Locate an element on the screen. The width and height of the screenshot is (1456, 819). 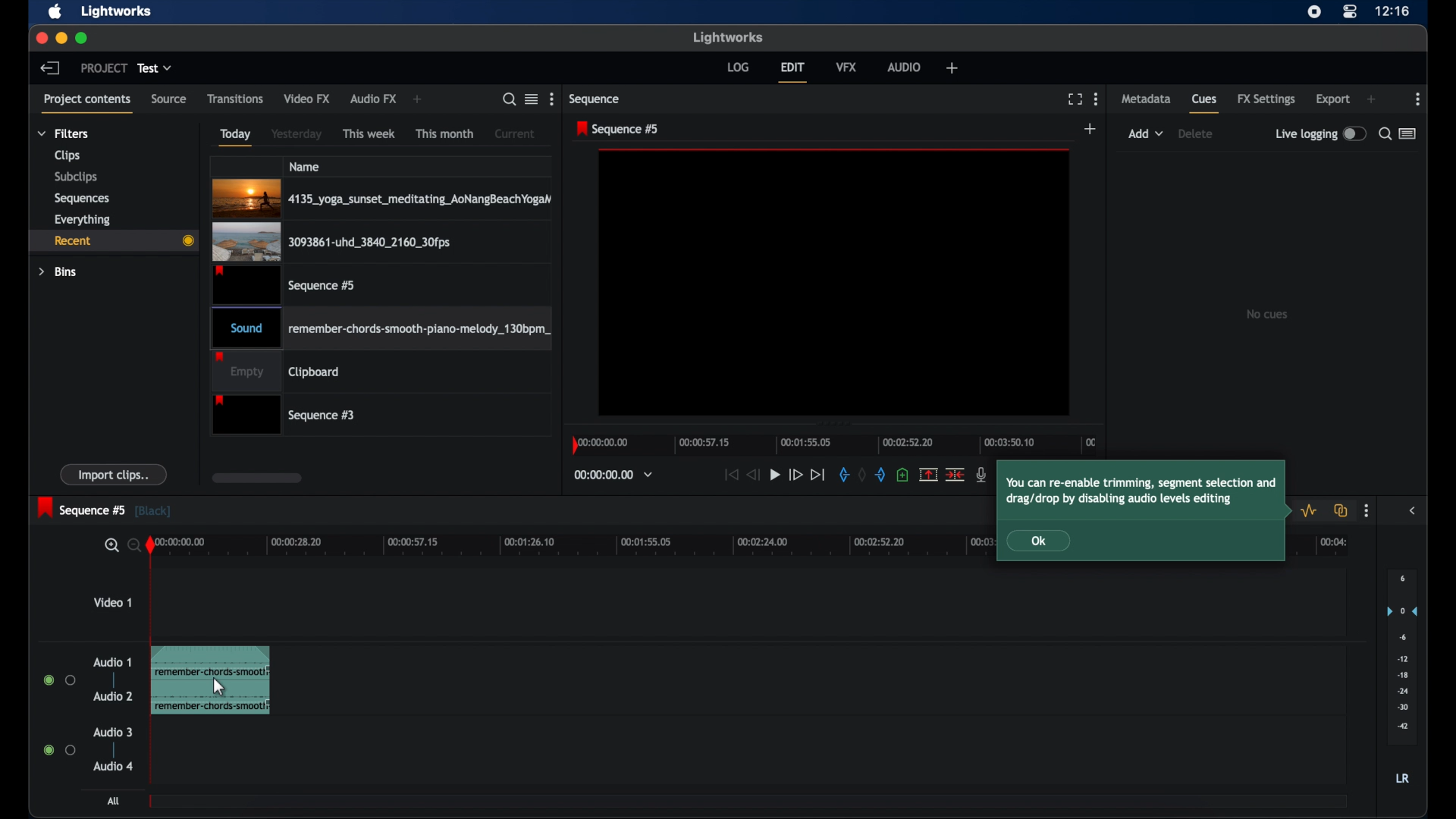
sequencies is located at coordinates (82, 199).